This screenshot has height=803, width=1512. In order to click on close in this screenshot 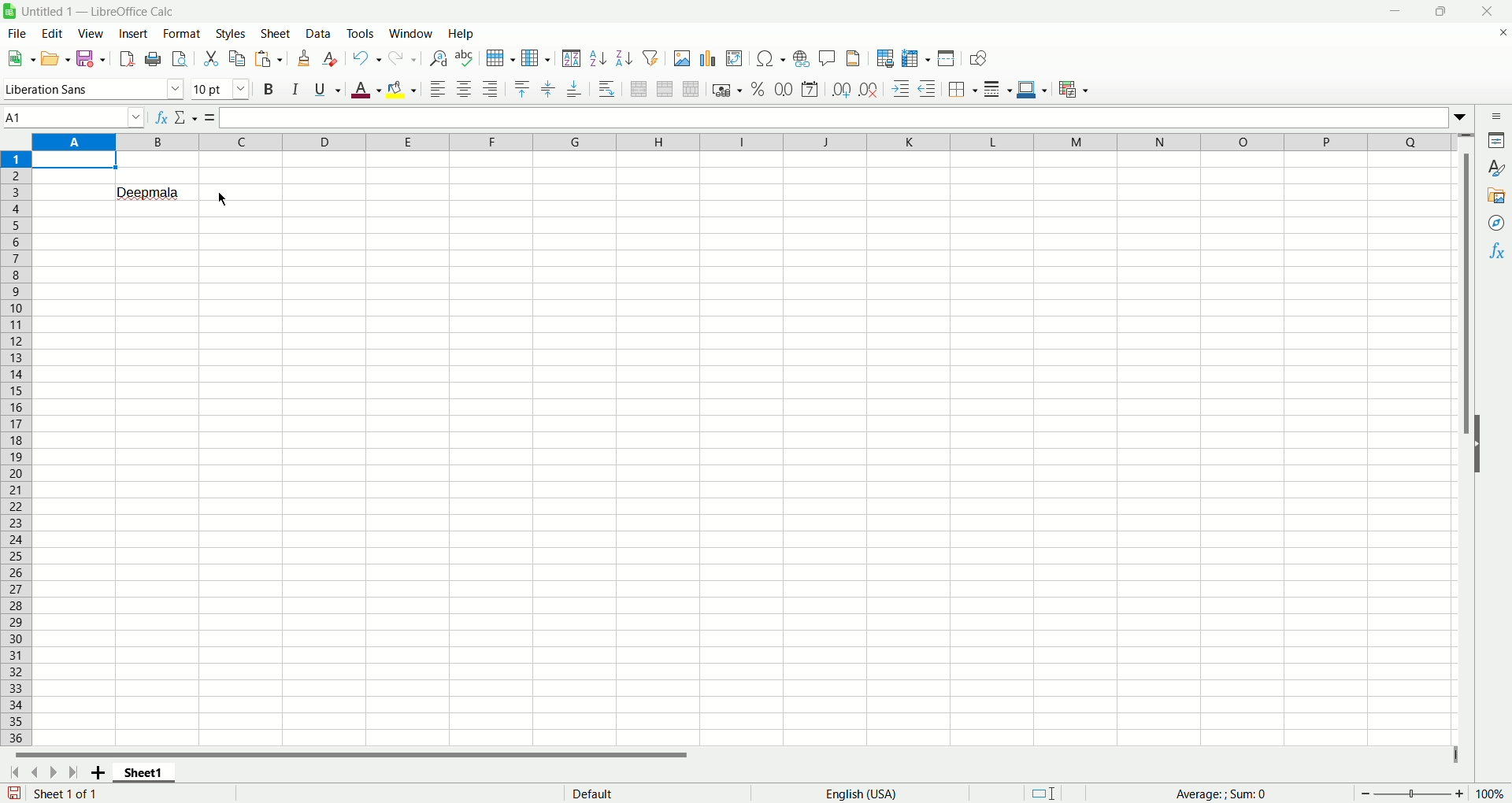, I will do `click(1485, 11)`.